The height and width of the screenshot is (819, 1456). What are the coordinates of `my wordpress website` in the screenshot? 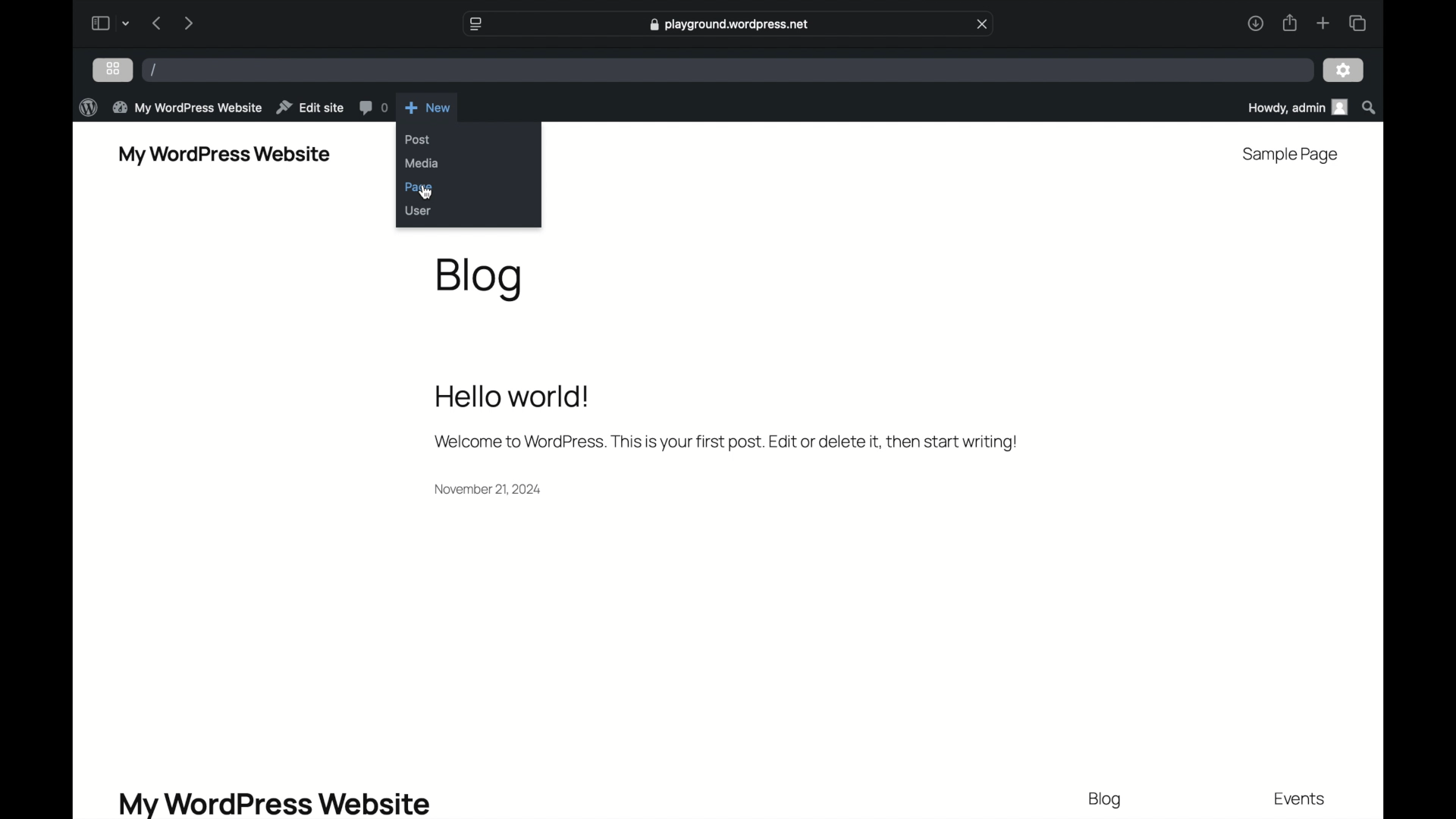 It's located at (187, 108).